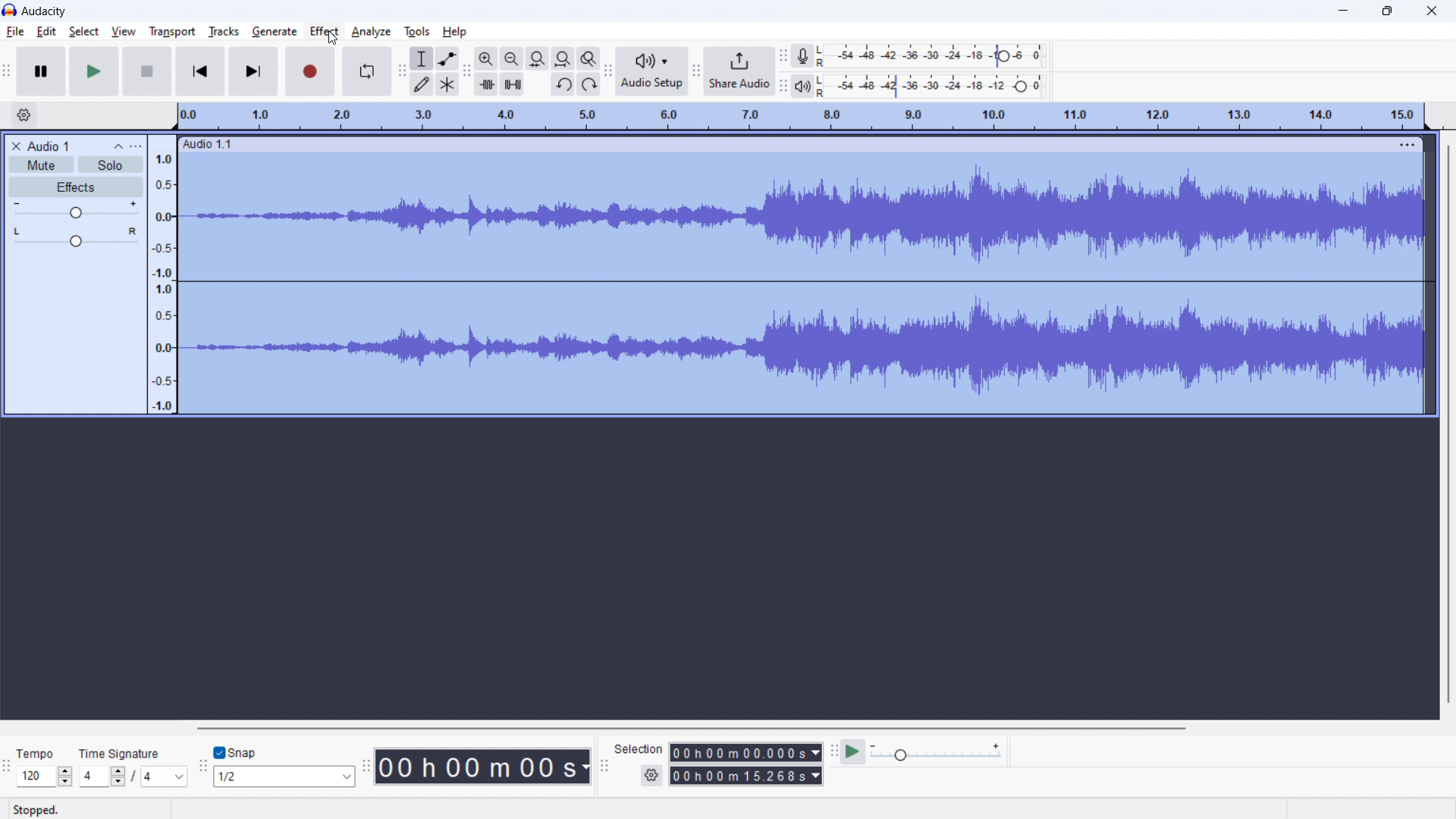 The height and width of the screenshot is (819, 1456). What do you see at coordinates (133, 777) in the screenshot?
I see `4/4 (set time signature)` at bounding box center [133, 777].